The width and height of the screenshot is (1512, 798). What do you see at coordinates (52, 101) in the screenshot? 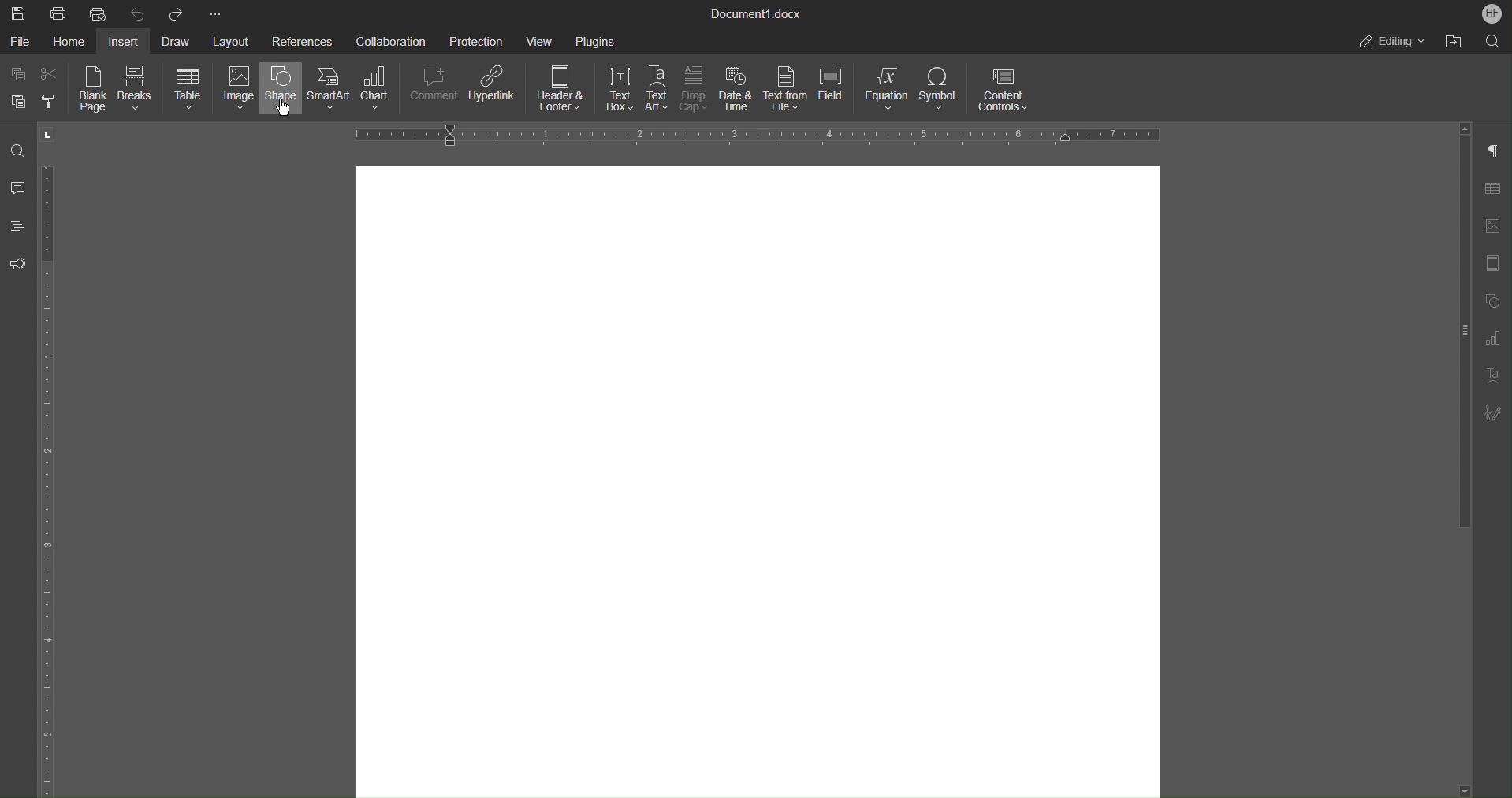
I see `Copy Style` at bounding box center [52, 101].